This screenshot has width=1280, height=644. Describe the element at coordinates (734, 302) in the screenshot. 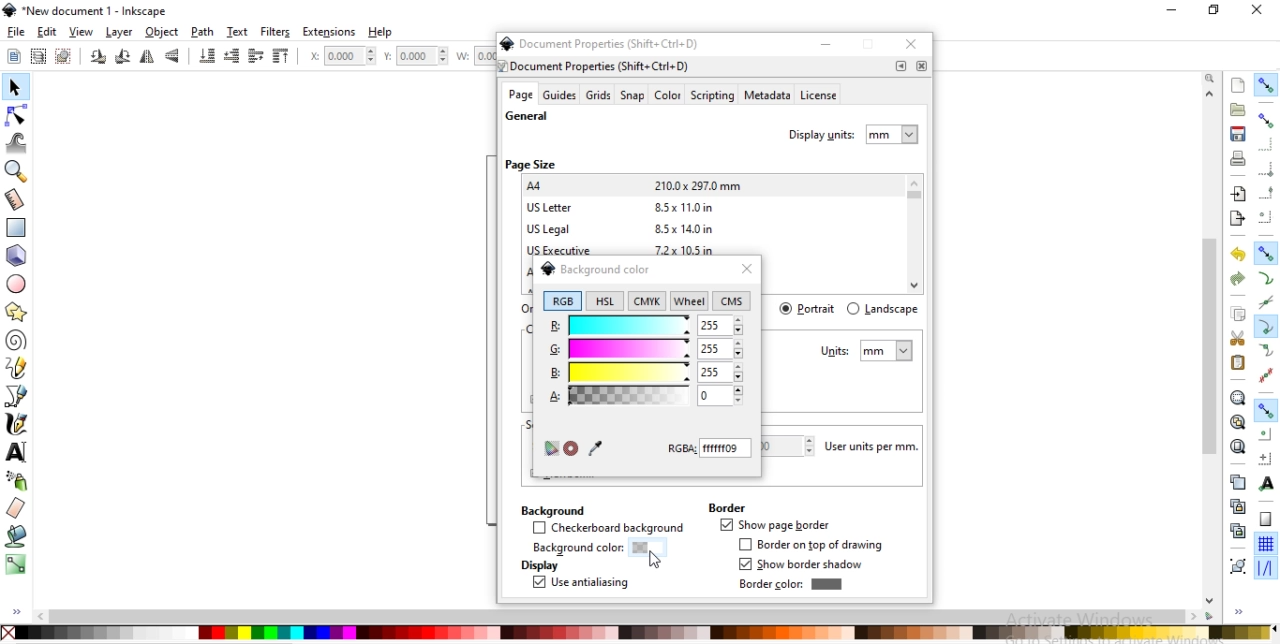

I see `cms` at that location.